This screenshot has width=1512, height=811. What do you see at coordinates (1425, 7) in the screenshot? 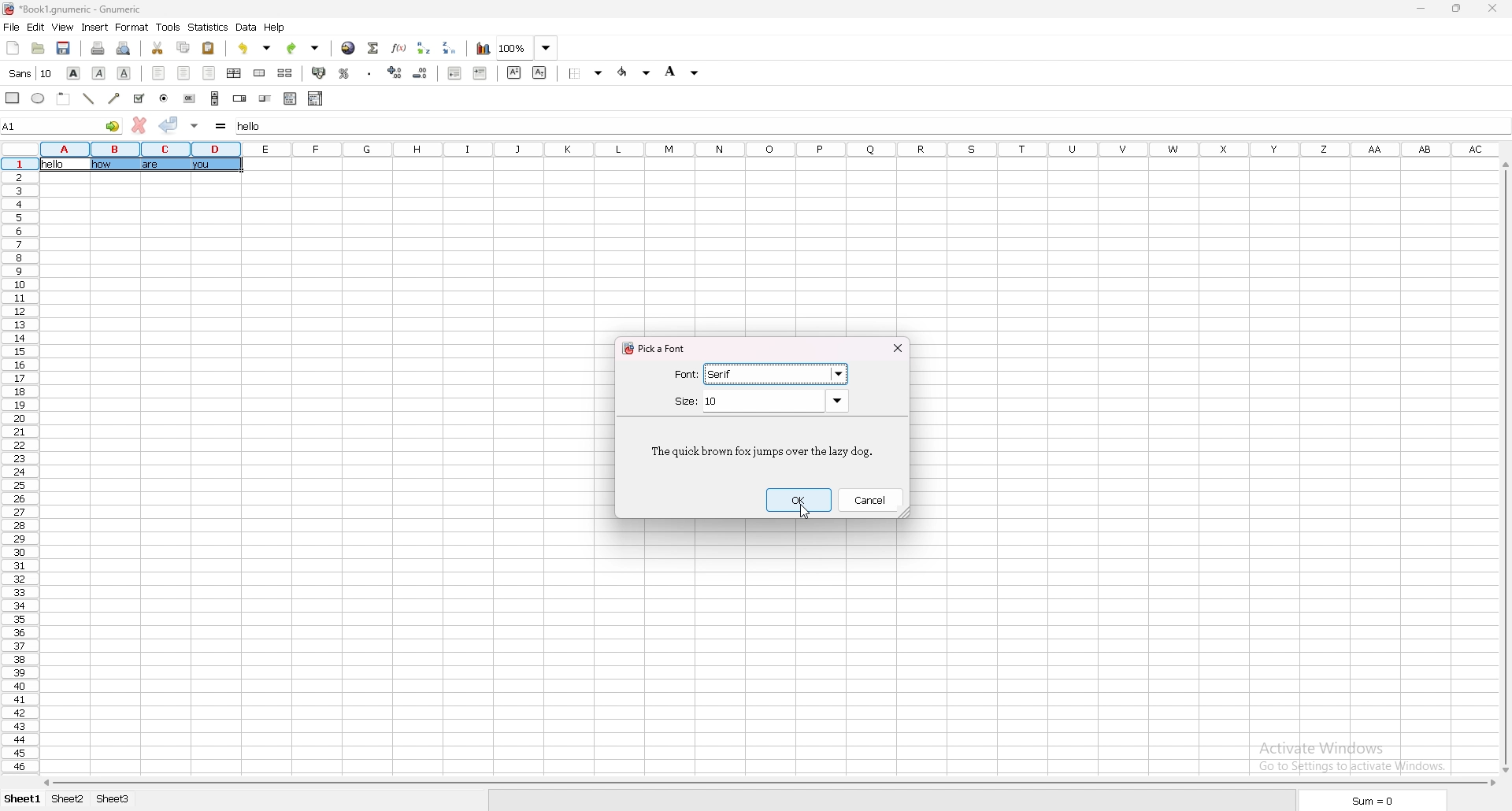
I see `minimize` at bounding box center [1425, 7].